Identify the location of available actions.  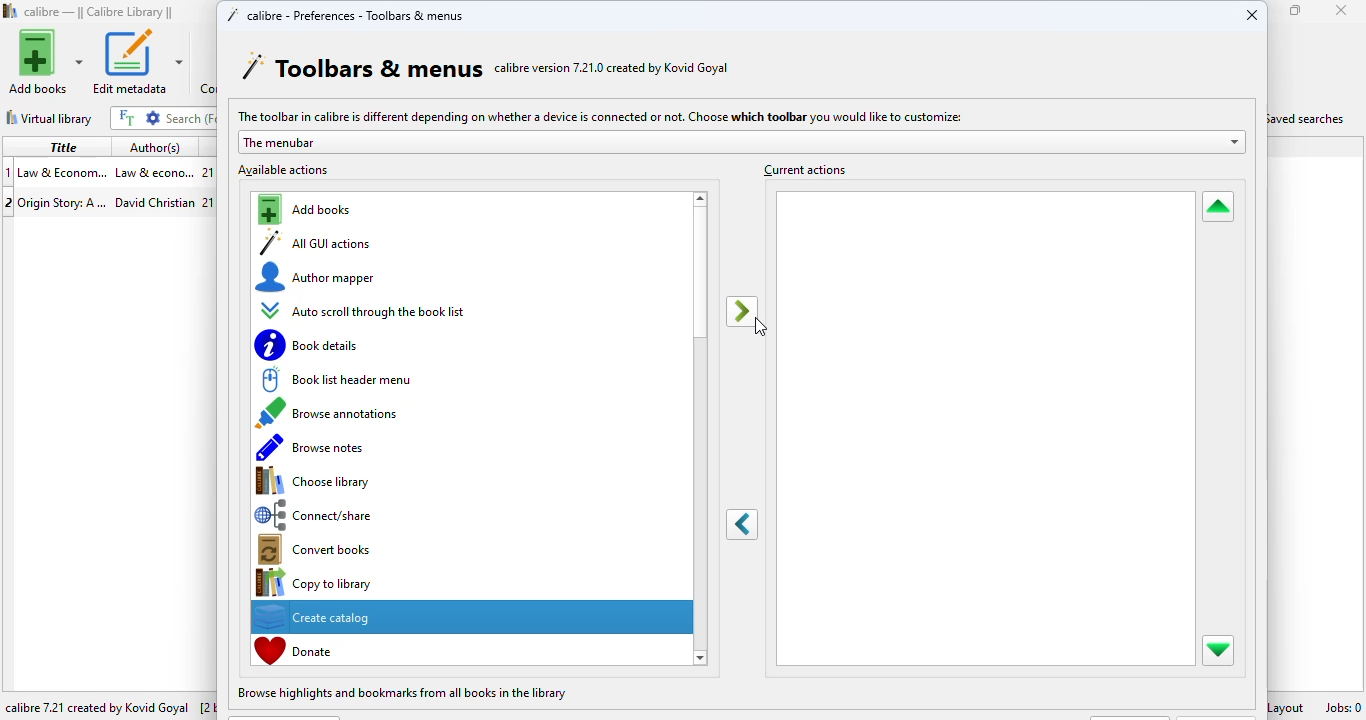
(284, 170).